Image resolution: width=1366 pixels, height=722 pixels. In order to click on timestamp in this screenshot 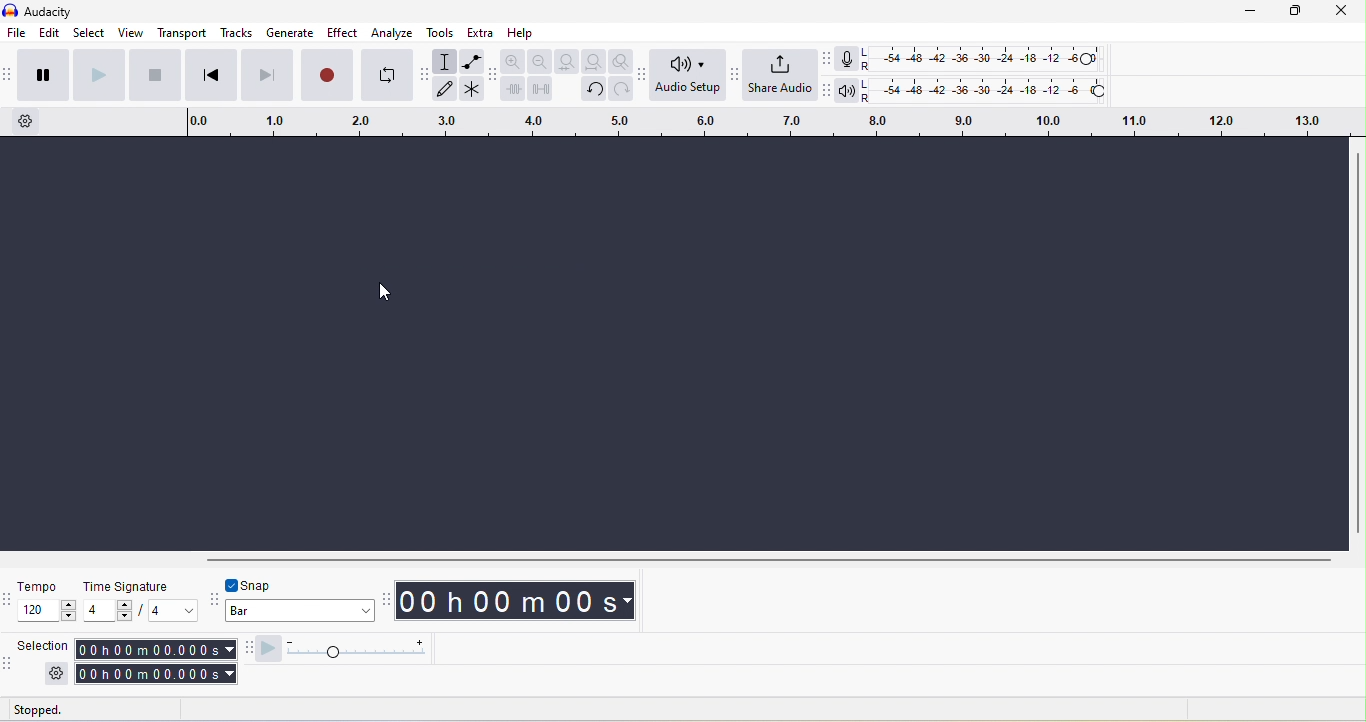, I will do `click(515, 601)`.